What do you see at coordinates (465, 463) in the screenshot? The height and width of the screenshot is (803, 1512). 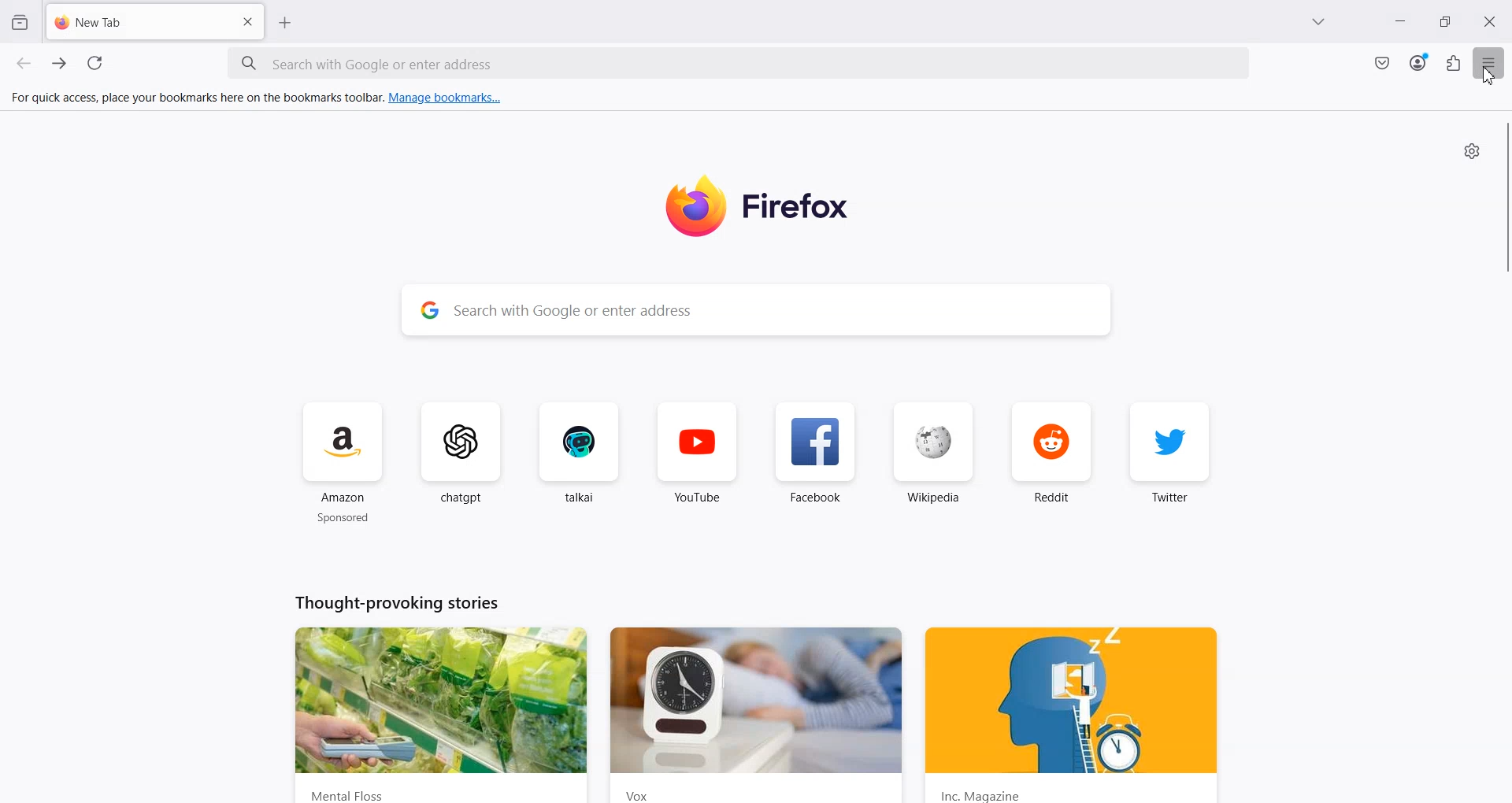 I see `ChatGPT` at bounding box center [465, 463].